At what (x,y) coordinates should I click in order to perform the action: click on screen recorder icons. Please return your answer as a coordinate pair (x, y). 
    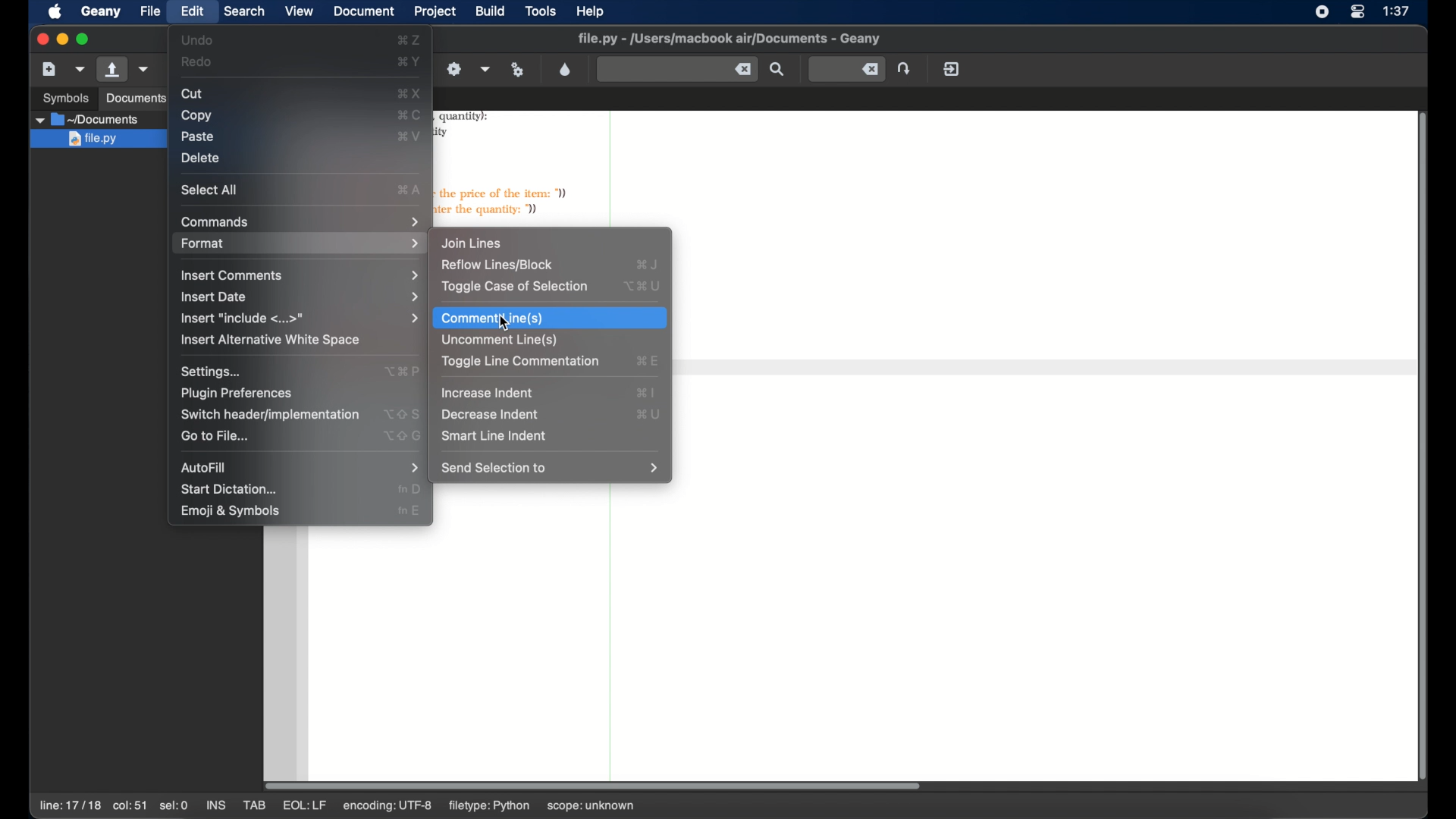
    Looking at the image, I should click on (1321, 12).